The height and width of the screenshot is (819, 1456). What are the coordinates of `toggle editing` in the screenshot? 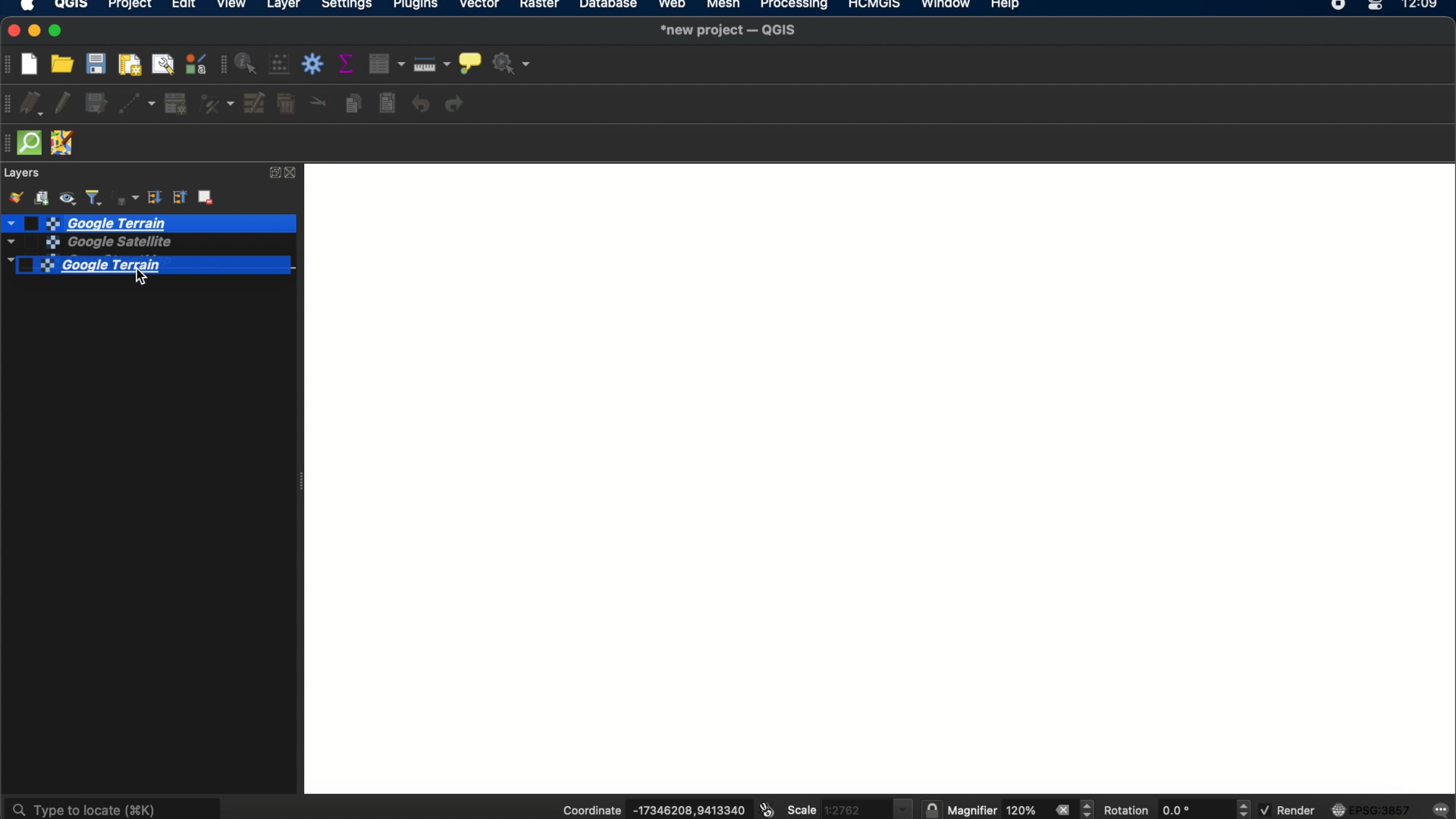 It's located at (63, 105).